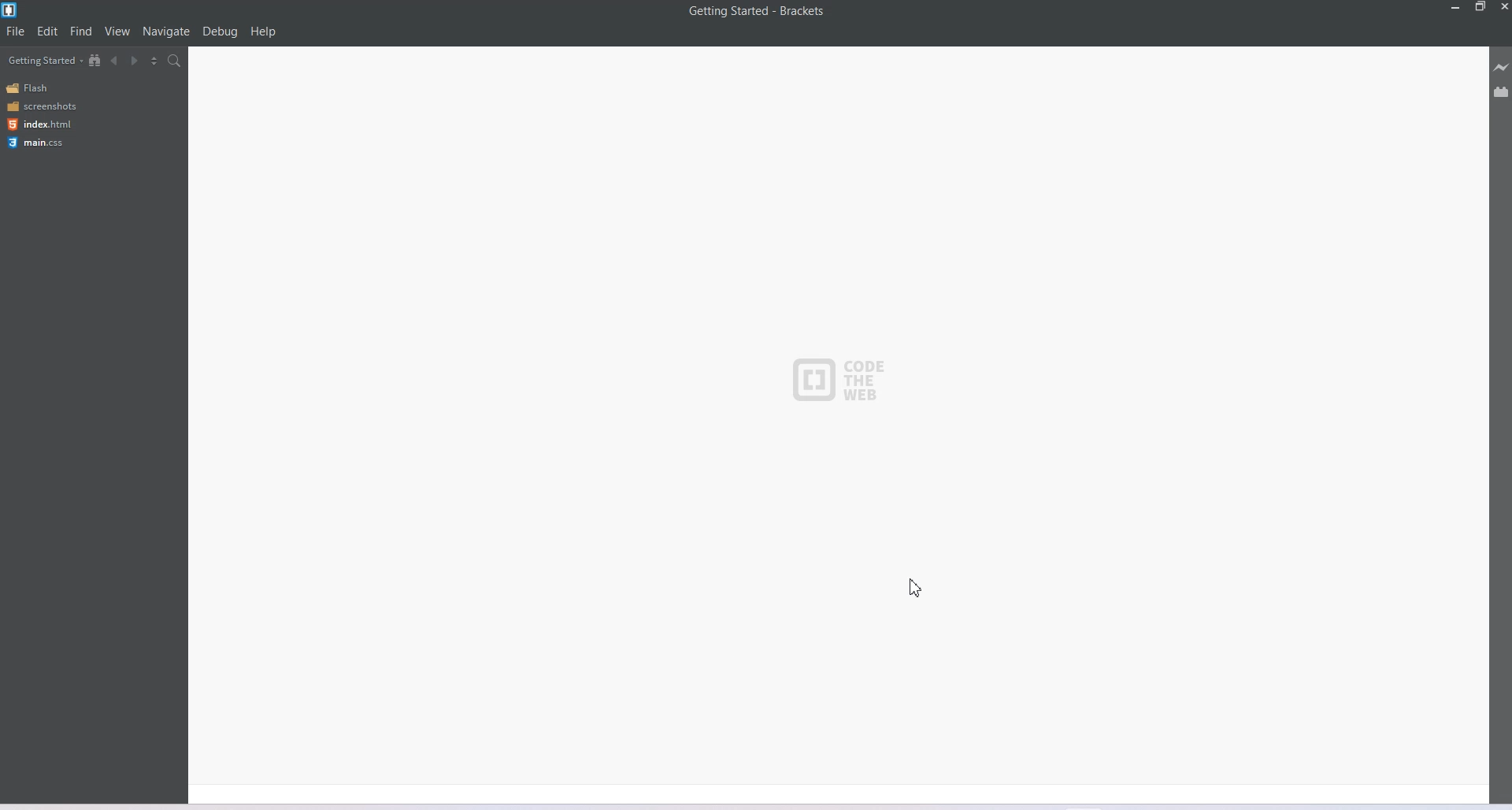 The image size is (1512, 810). I want to click on Maximize, so click(1480, 7).